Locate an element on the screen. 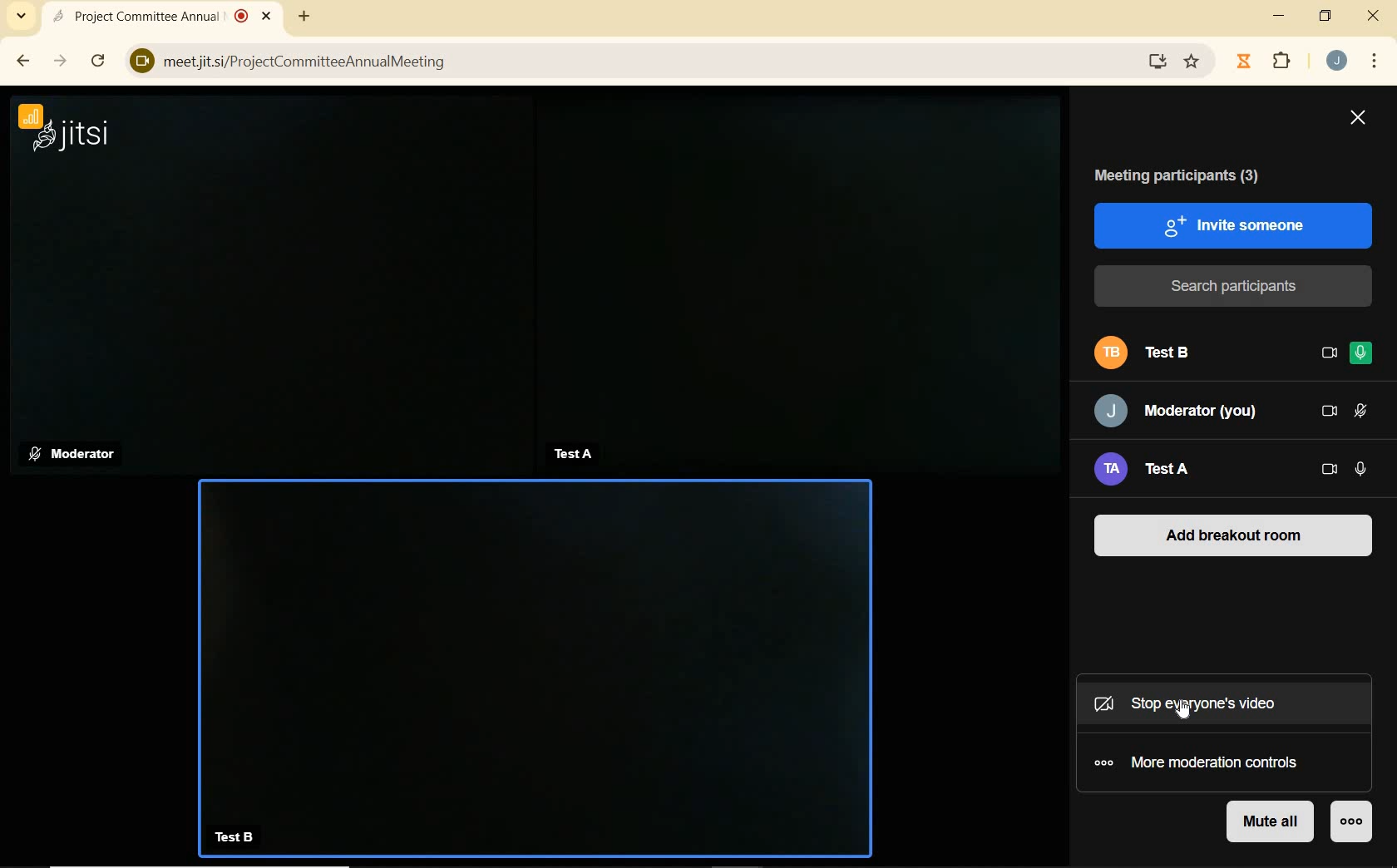 This screenshot has width=1397, height=868. MICROPHONE is located at coordinates (1362, 411).